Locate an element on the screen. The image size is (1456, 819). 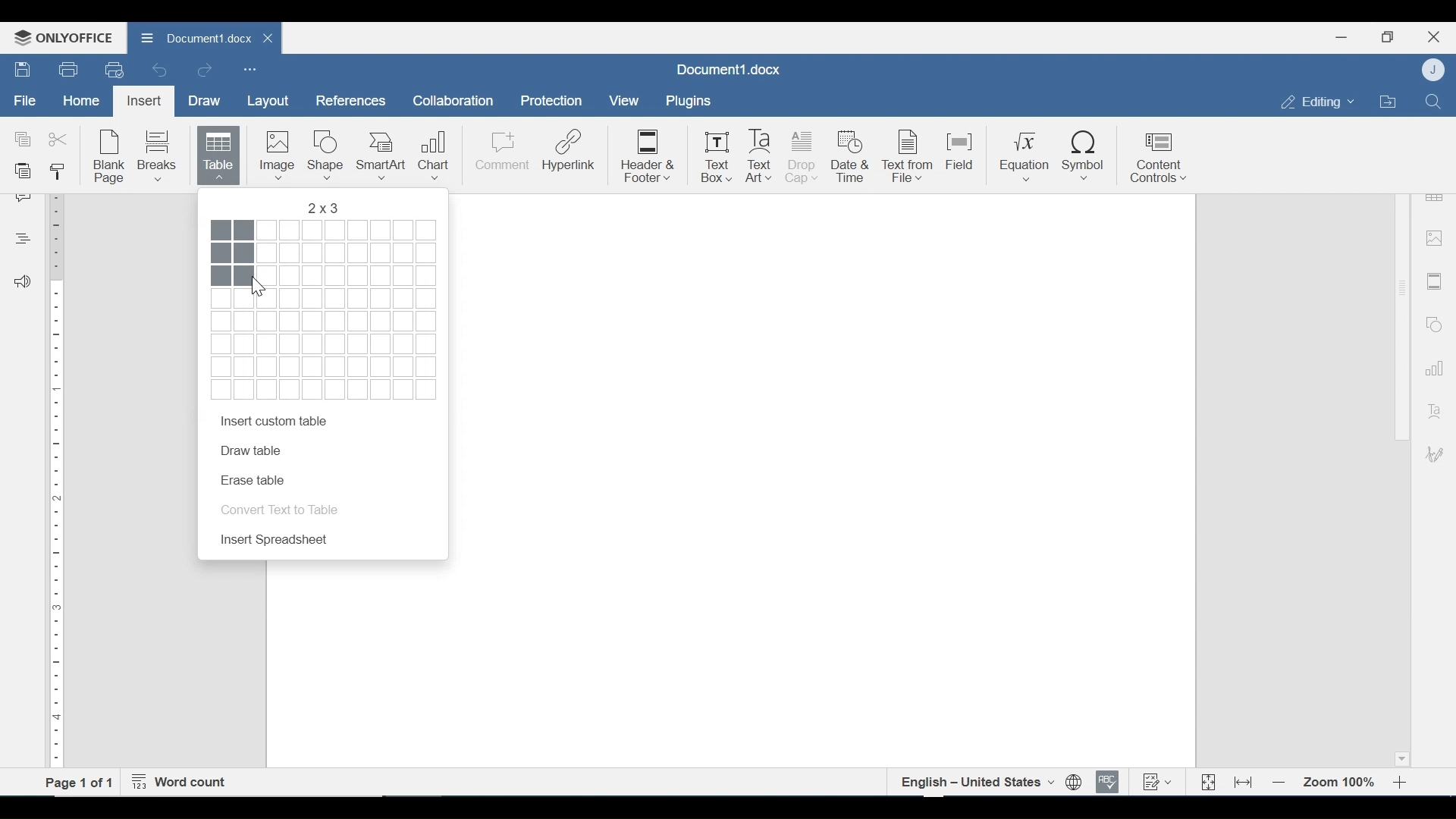
Close is located at coordinates (1434, 35).